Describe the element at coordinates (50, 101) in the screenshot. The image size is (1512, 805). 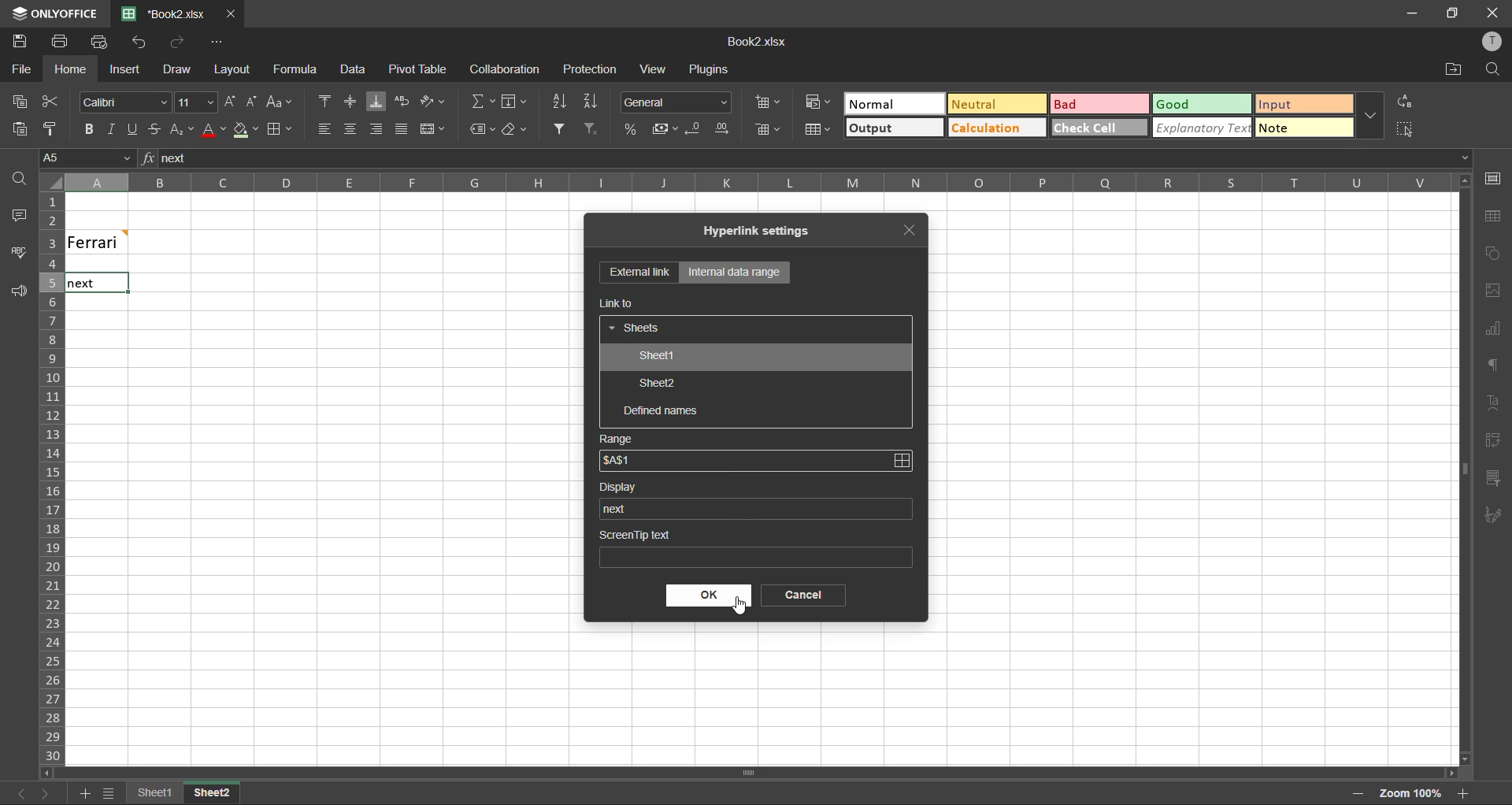
I see `cut` at that location.